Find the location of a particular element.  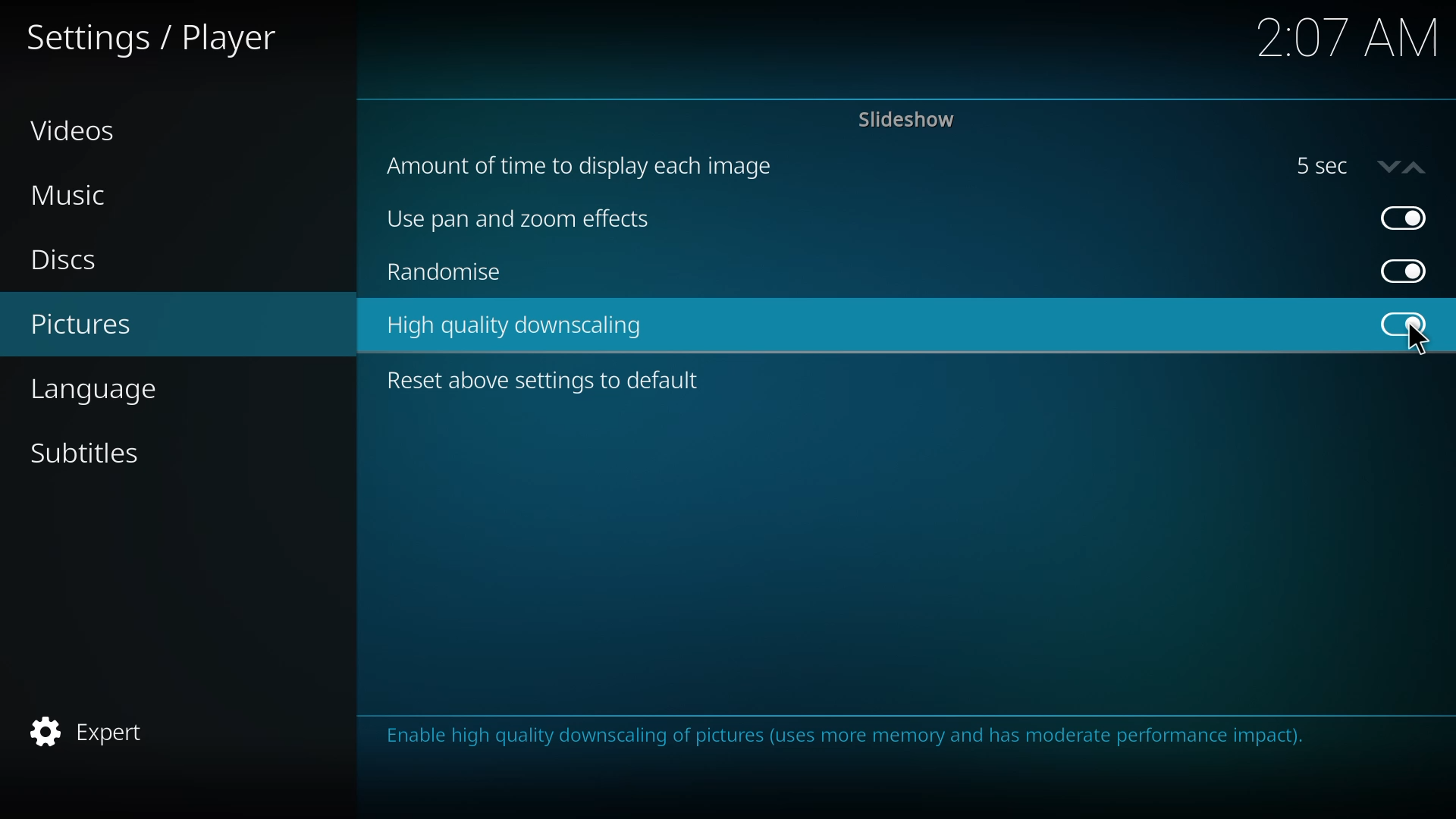

click to enable is located at coordinates (1402, 324).